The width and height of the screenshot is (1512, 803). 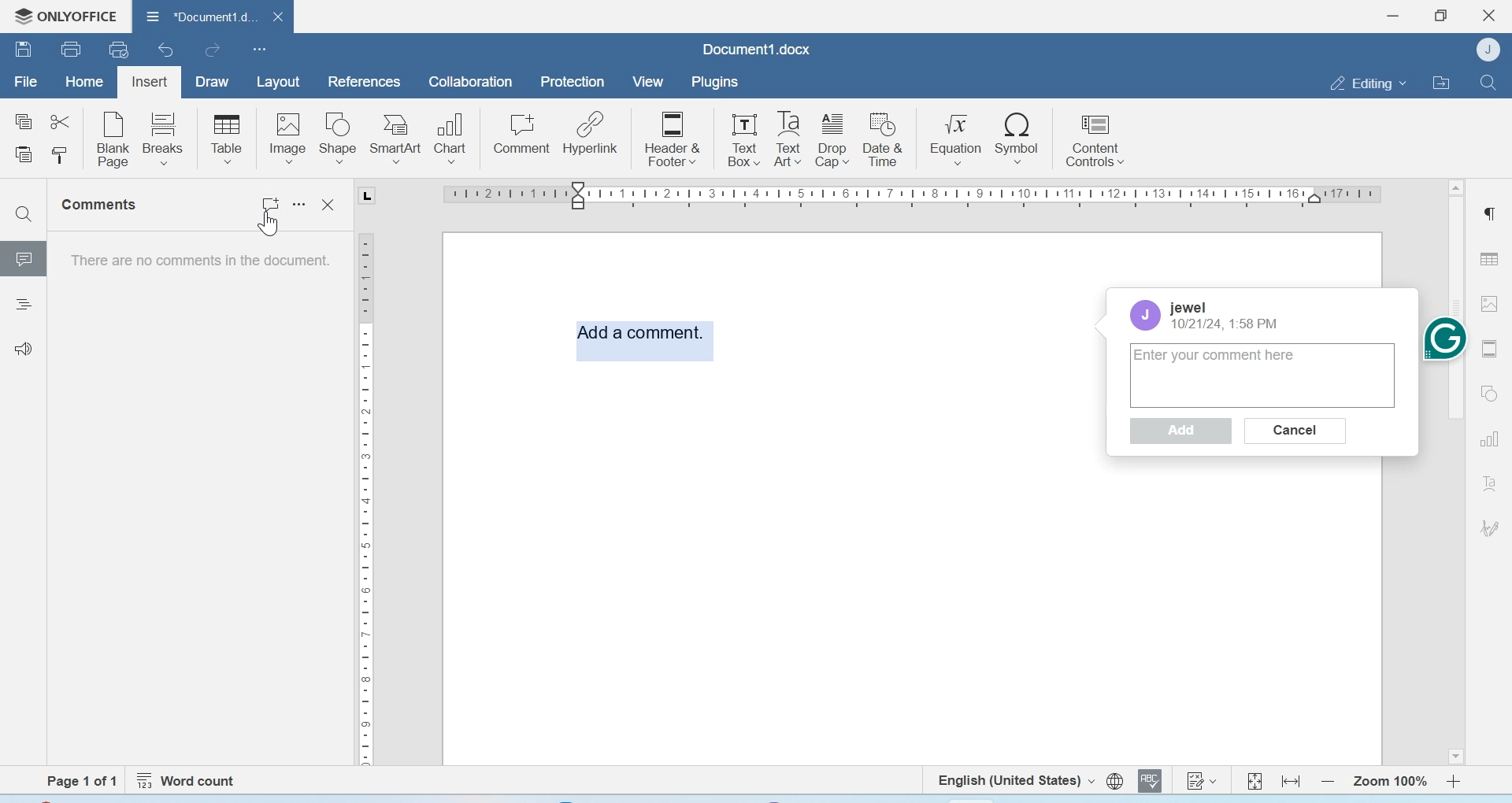 What do you see at coordinates (25, 156) in the screenshot?
I see `Paste` at bounding box center [25, 156].